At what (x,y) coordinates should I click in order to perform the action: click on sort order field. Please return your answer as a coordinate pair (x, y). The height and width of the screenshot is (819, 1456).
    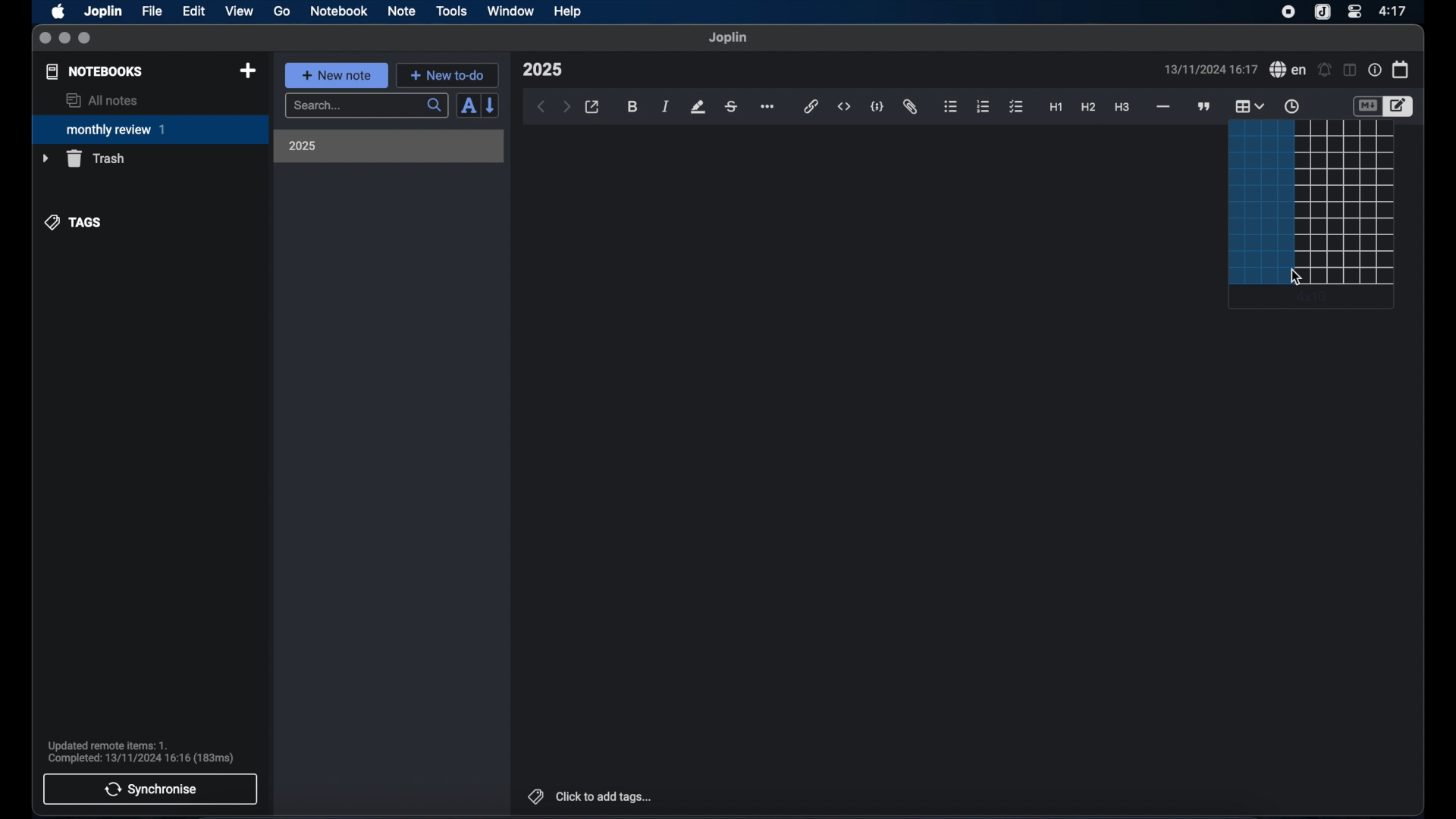
    Looking at the image, I should click on (468, 106).